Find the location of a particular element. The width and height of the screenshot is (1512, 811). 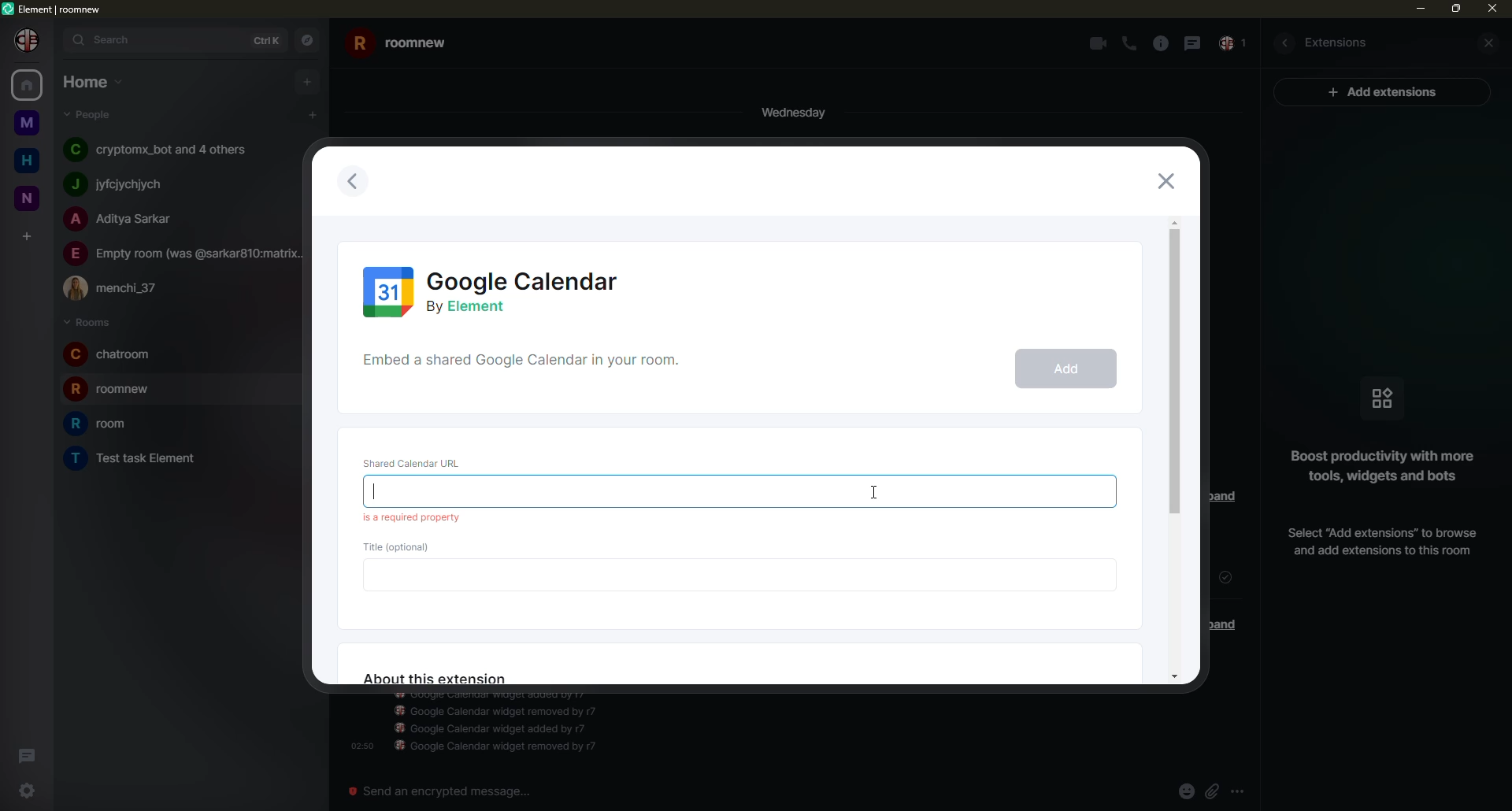

emoji is located at coordinates (1185, 791).